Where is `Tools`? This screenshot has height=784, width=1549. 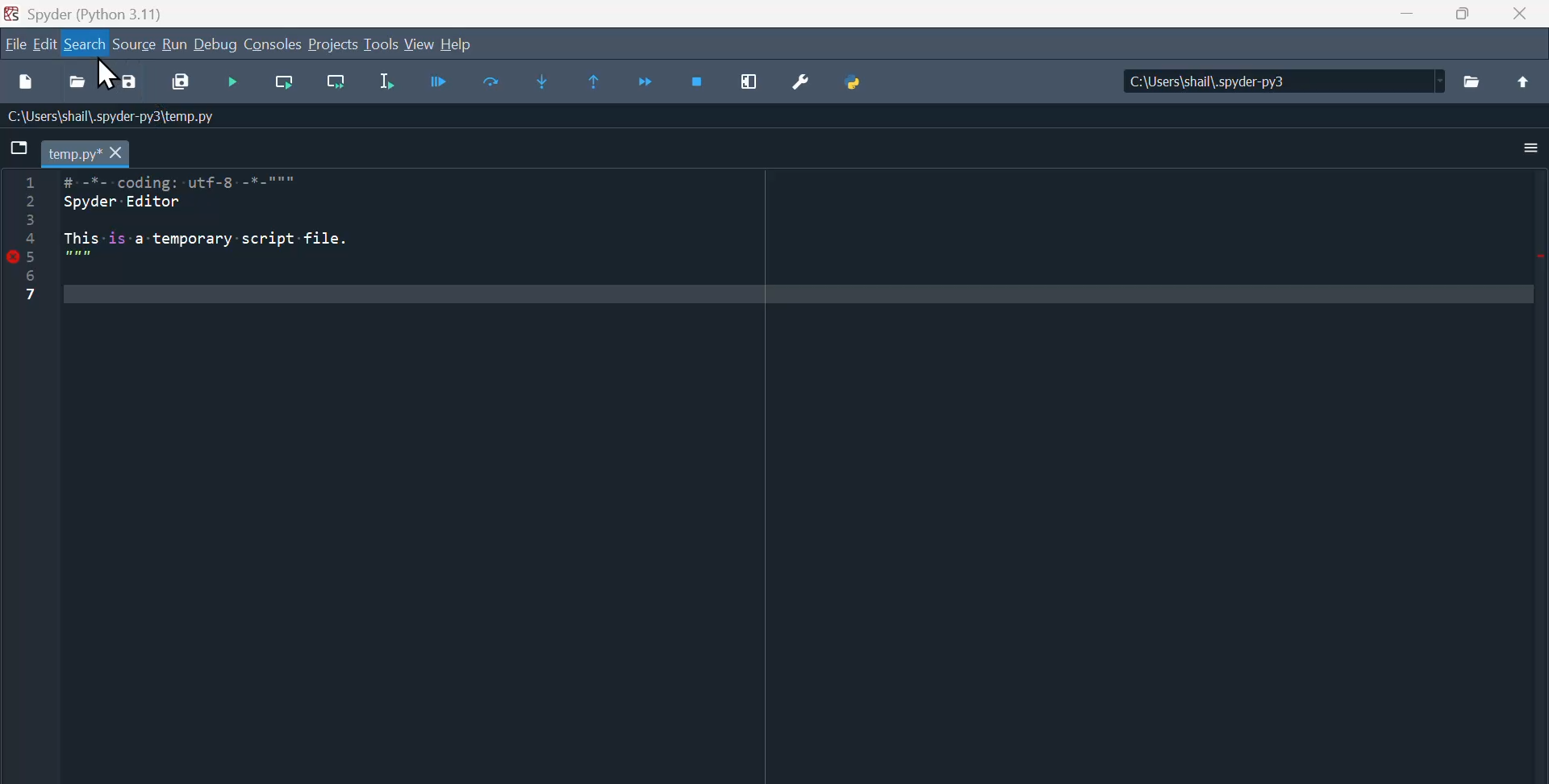 Tools is located at coordinates (382, 46).